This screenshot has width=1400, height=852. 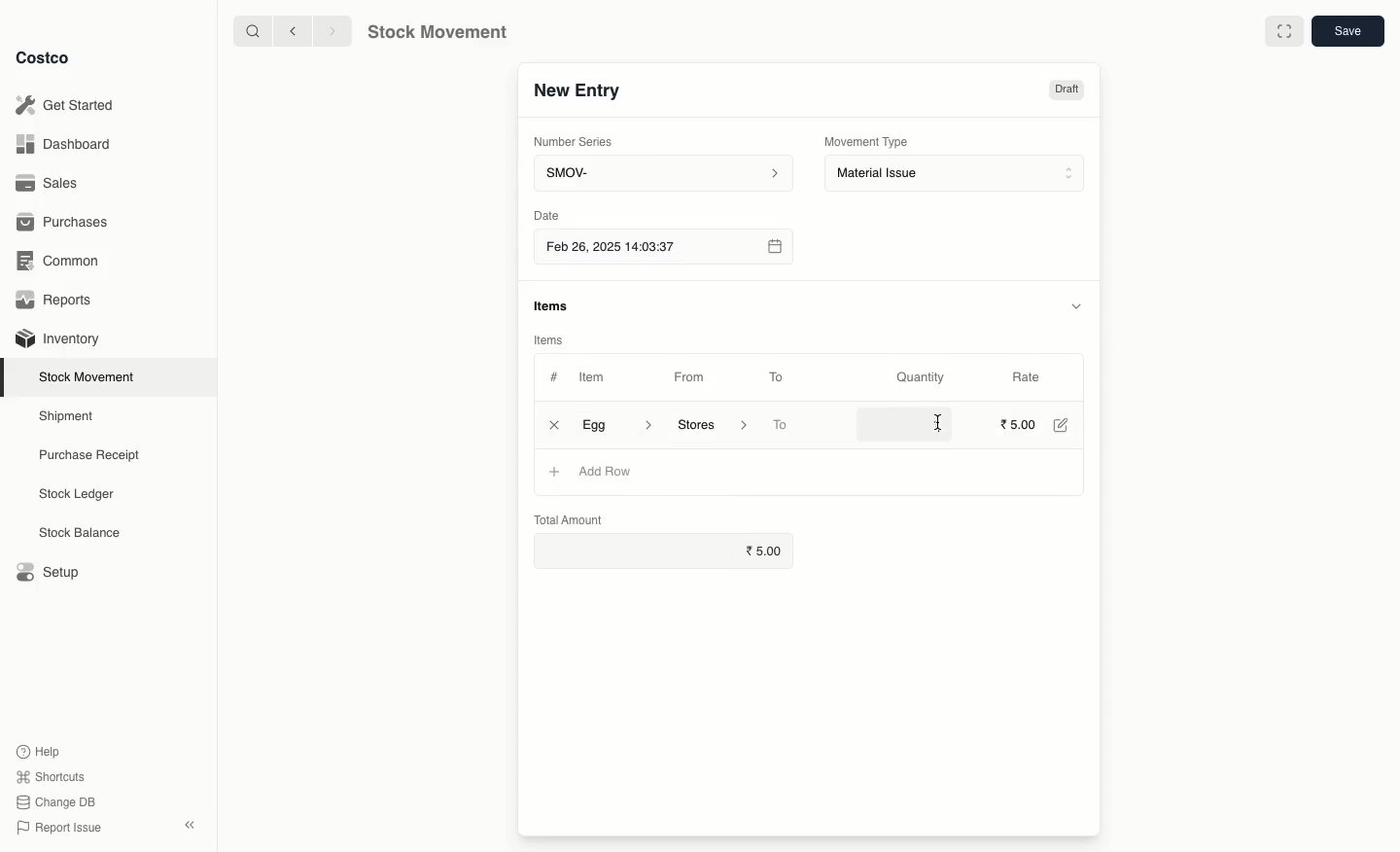 What do you see at coordinates (328, 30) in the screenshot?
I see `forward` at bounding box center [328, 30].